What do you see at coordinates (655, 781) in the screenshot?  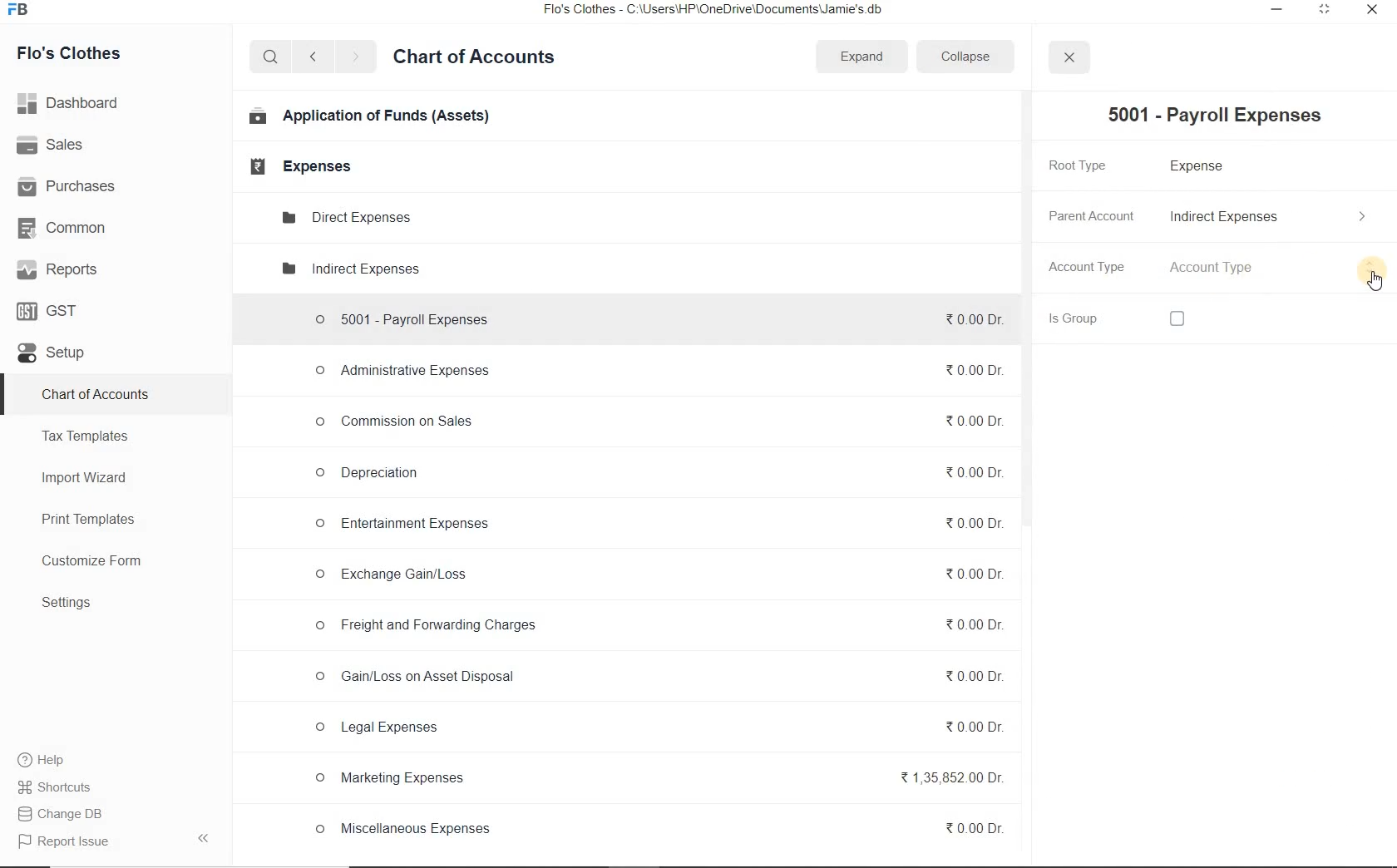 I see `© Marketing Expenses %1,35,852.00 Dr.` at bounding box center [655, 781].